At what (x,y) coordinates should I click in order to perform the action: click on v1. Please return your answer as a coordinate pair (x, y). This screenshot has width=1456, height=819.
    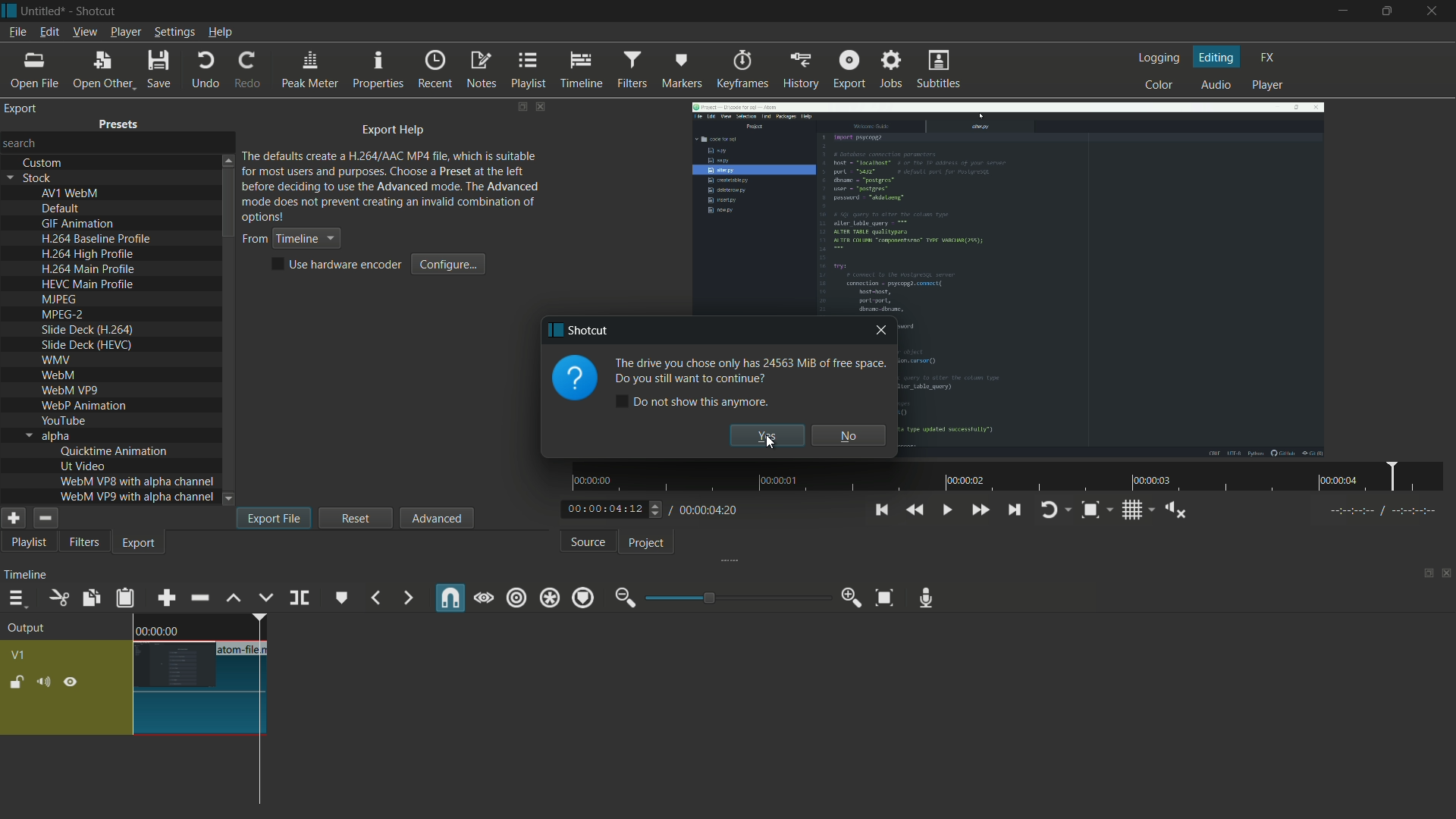
    Looking at the image, I should click on (17, 654).